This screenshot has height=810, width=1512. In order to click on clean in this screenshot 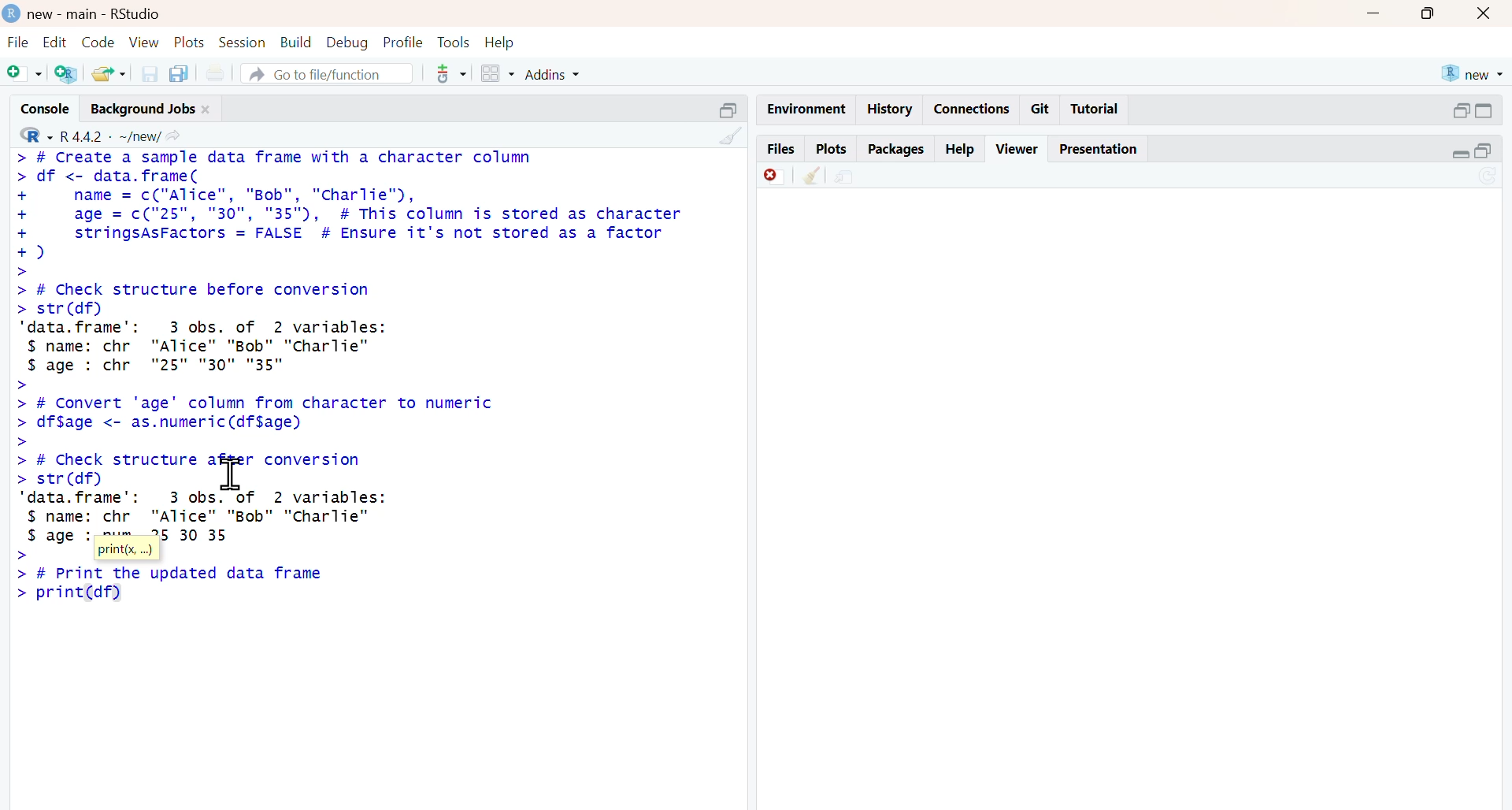, I will do `click(732, 136)`.